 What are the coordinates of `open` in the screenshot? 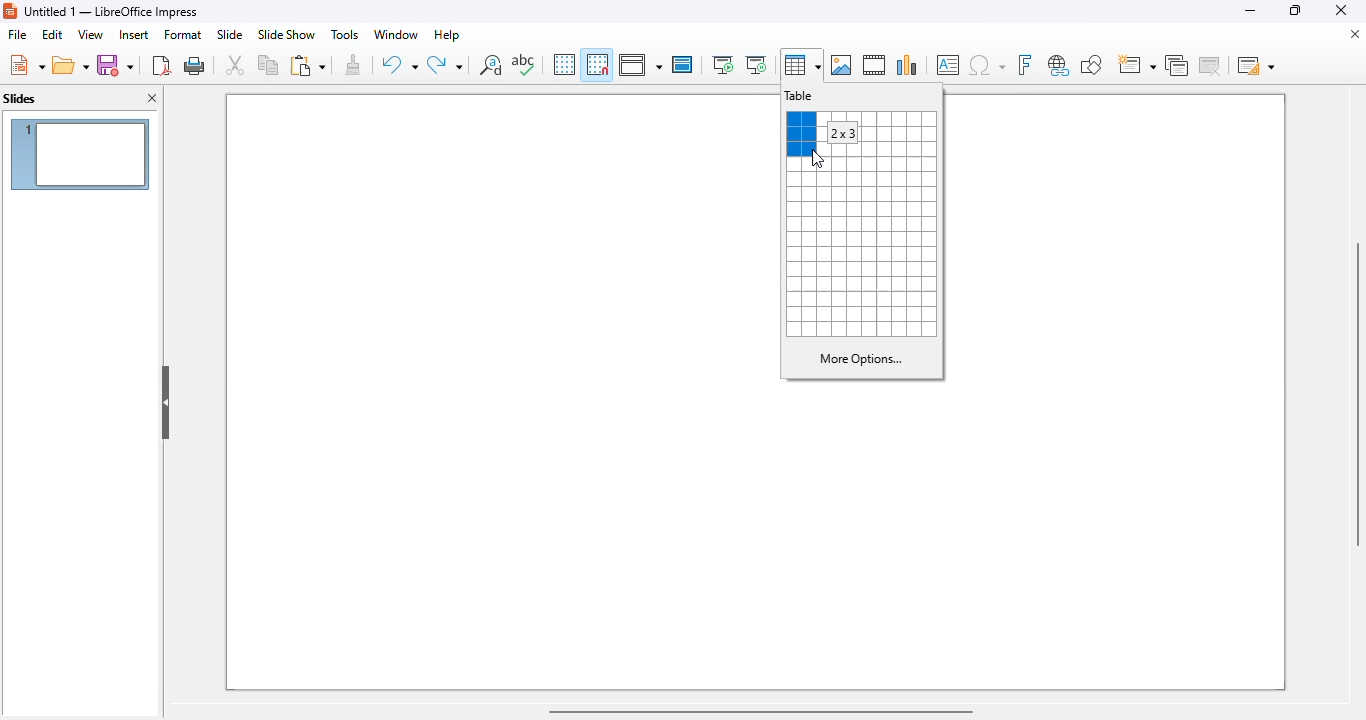 It's located at (70, 64).